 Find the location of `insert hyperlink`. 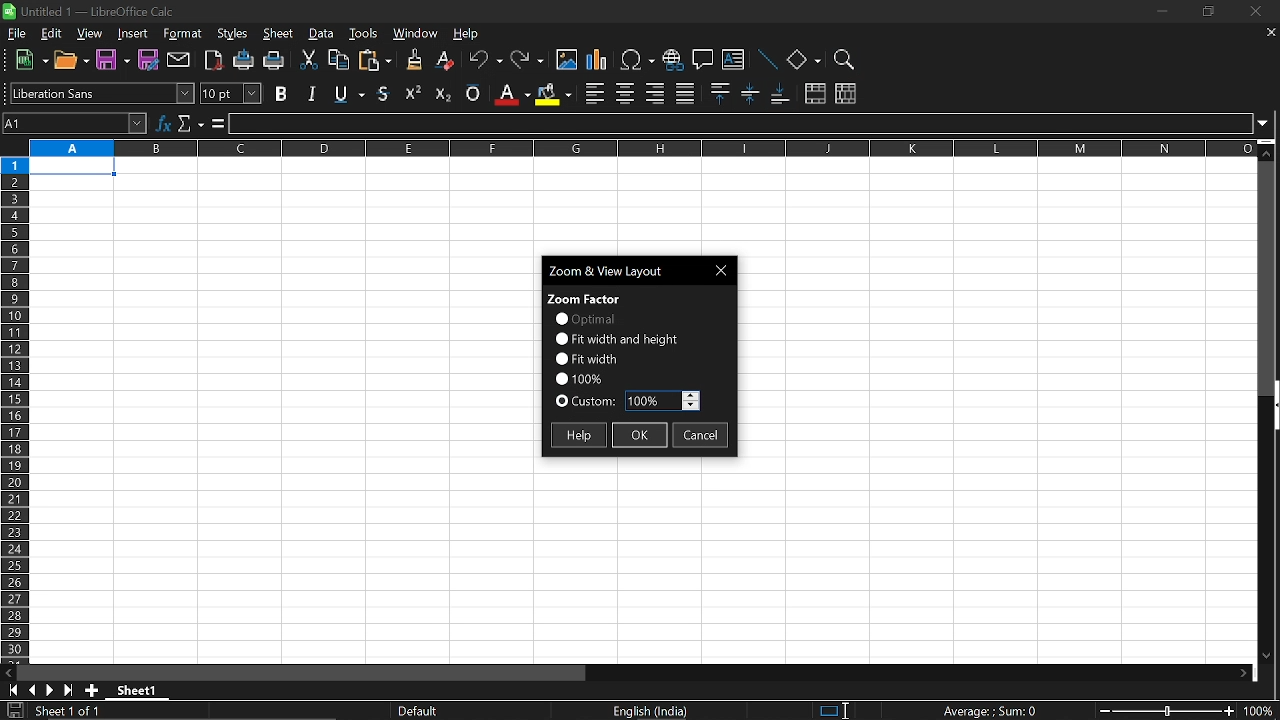

insert hyperlink is located at coordinates (672, 62).